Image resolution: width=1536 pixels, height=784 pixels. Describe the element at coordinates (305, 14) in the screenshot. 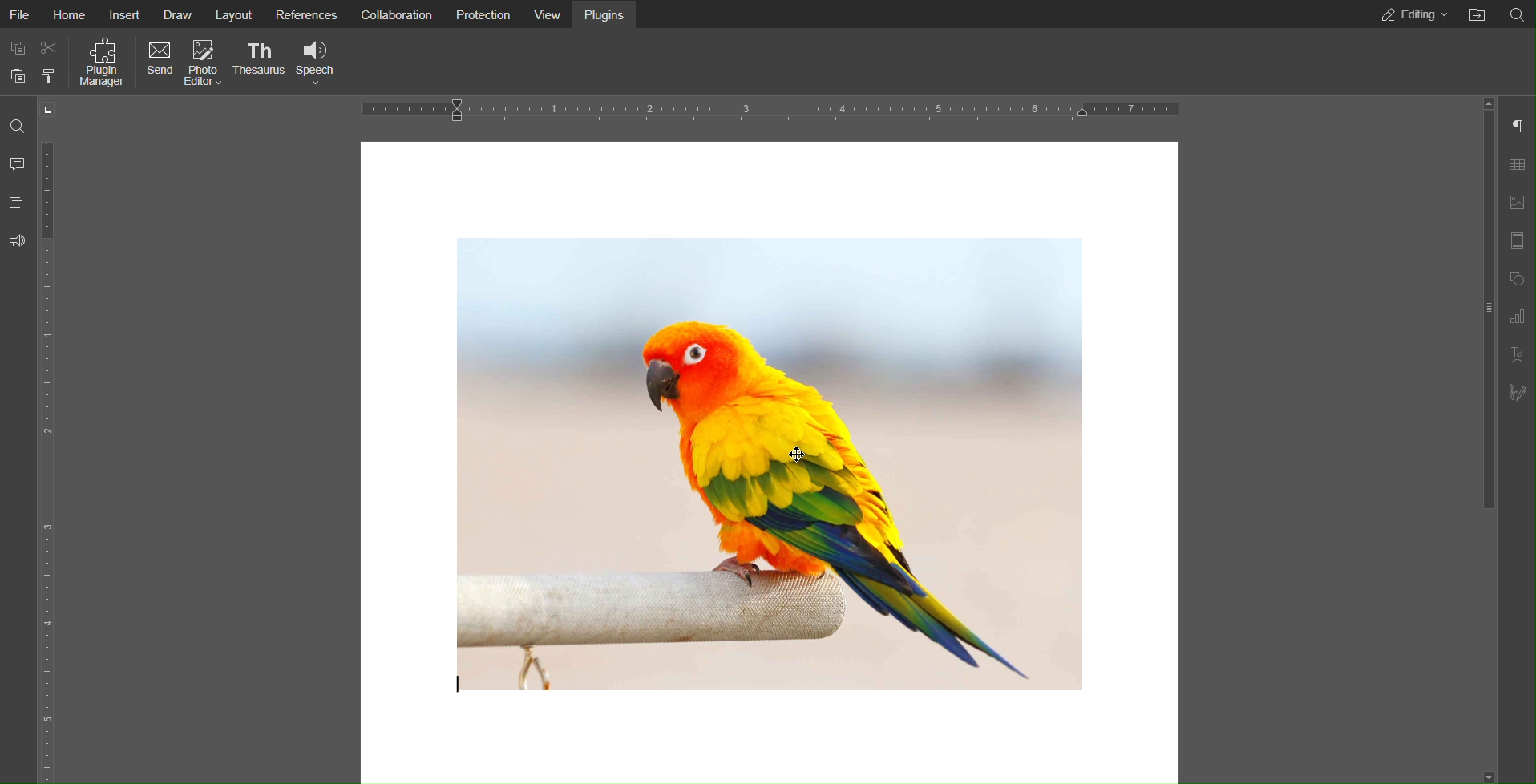

I see `References` at that location.